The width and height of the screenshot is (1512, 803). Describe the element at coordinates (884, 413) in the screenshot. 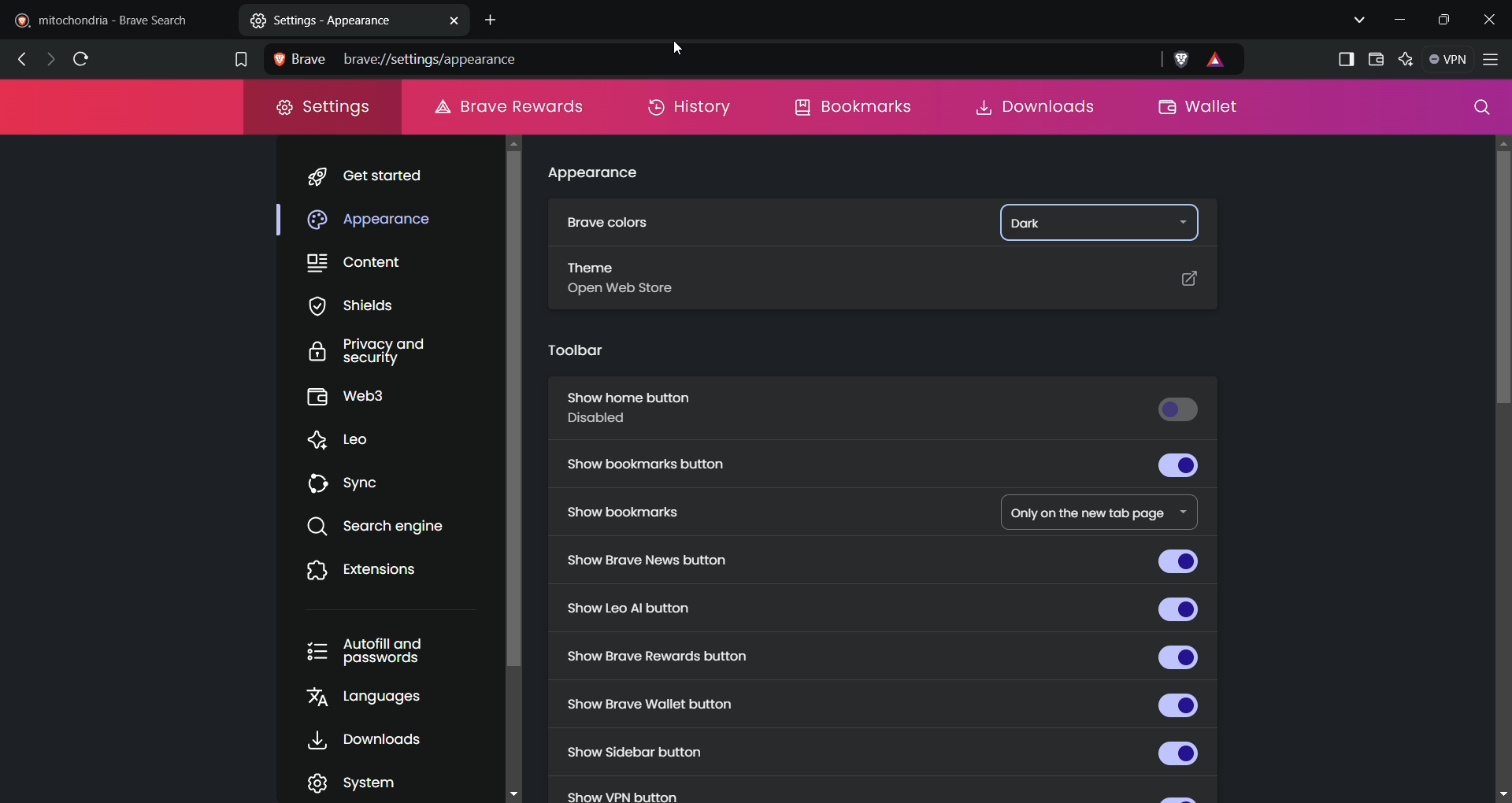

I see `show home button` at that location.